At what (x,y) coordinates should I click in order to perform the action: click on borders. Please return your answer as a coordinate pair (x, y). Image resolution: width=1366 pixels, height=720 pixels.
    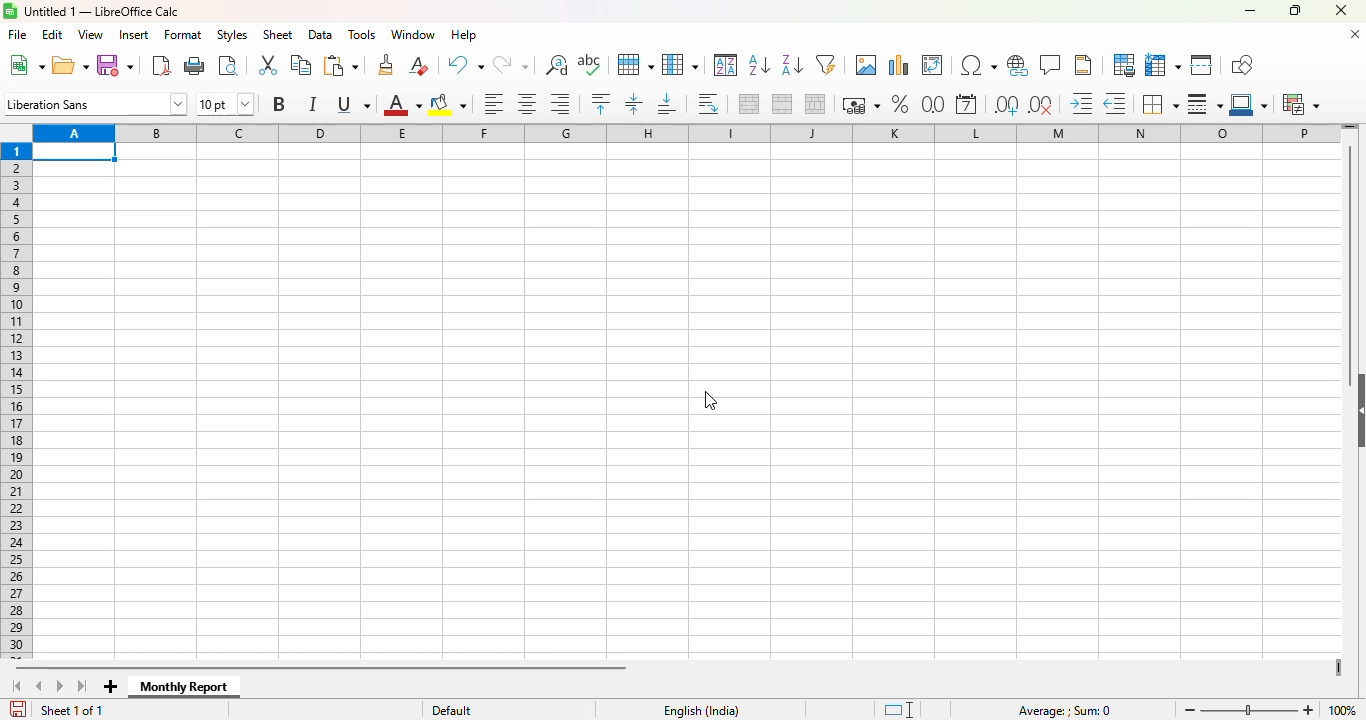
    Looking at the image, I should click on (1159, 104).